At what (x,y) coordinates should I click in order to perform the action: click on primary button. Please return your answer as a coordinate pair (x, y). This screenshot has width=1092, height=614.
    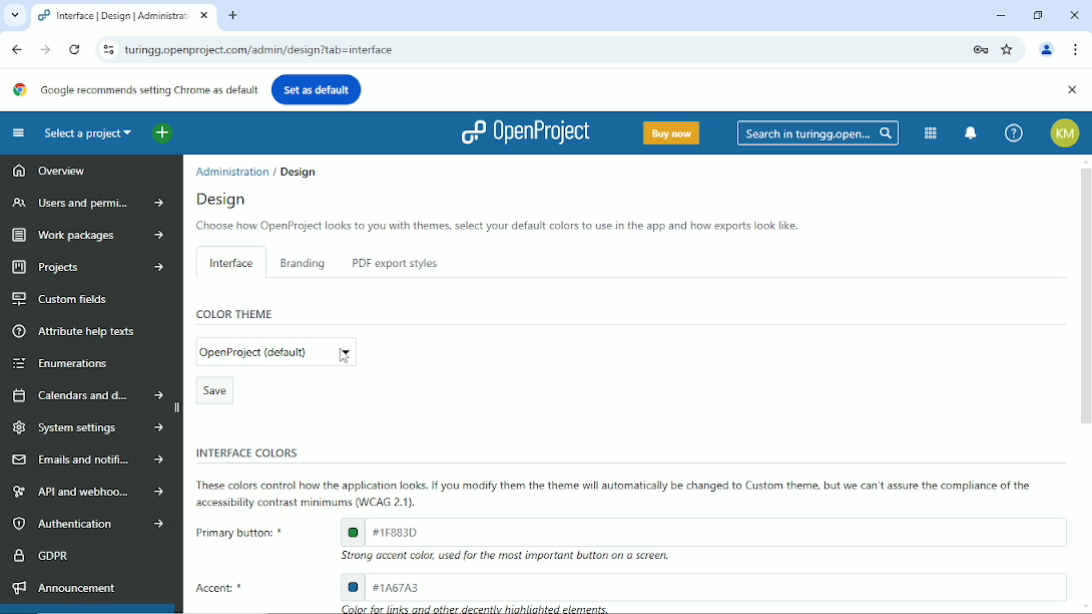
    Looking at the image, I should click on (702, 531).